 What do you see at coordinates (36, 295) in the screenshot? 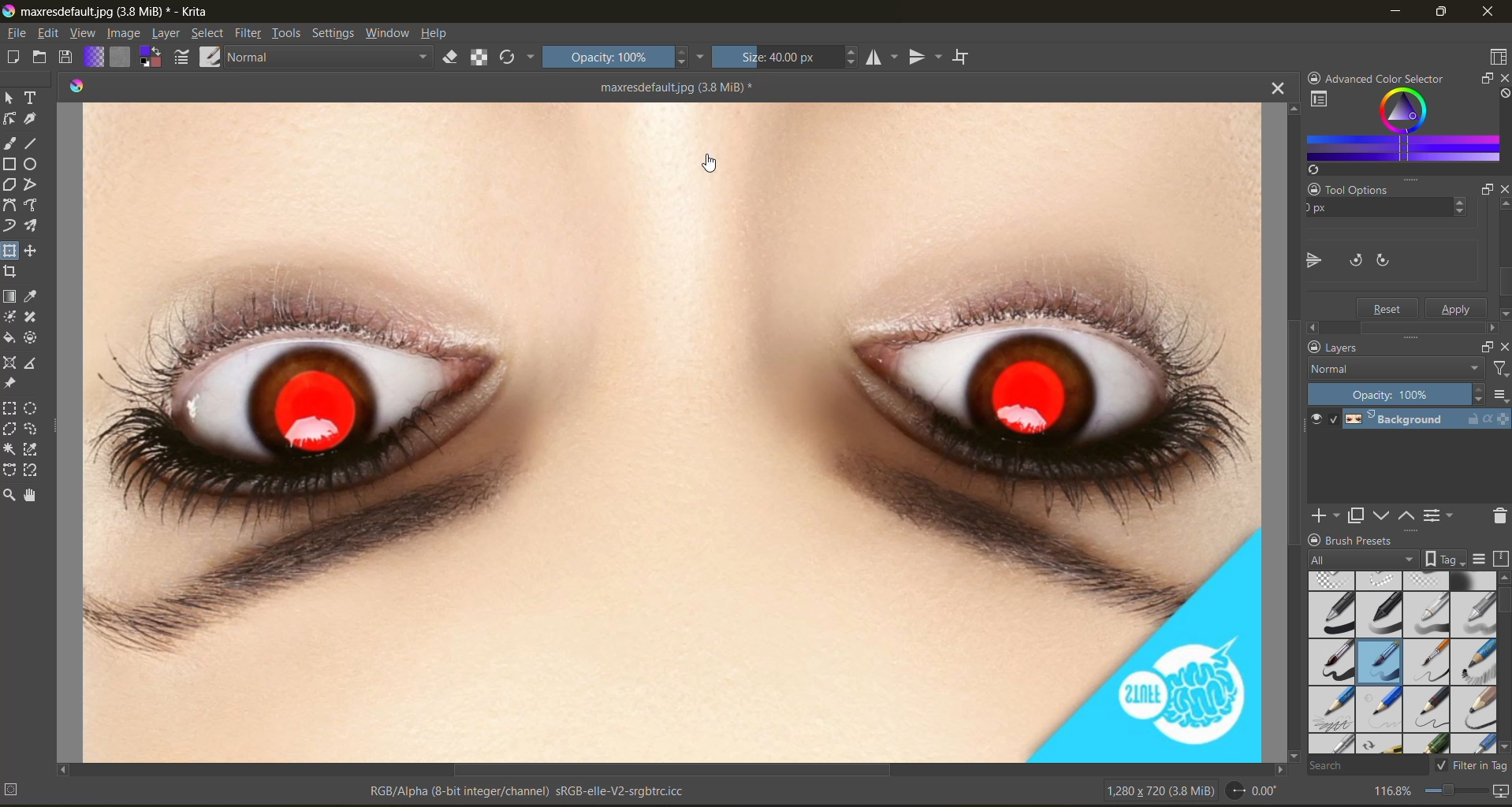
I see `tool` at bounding box center [36, 295].